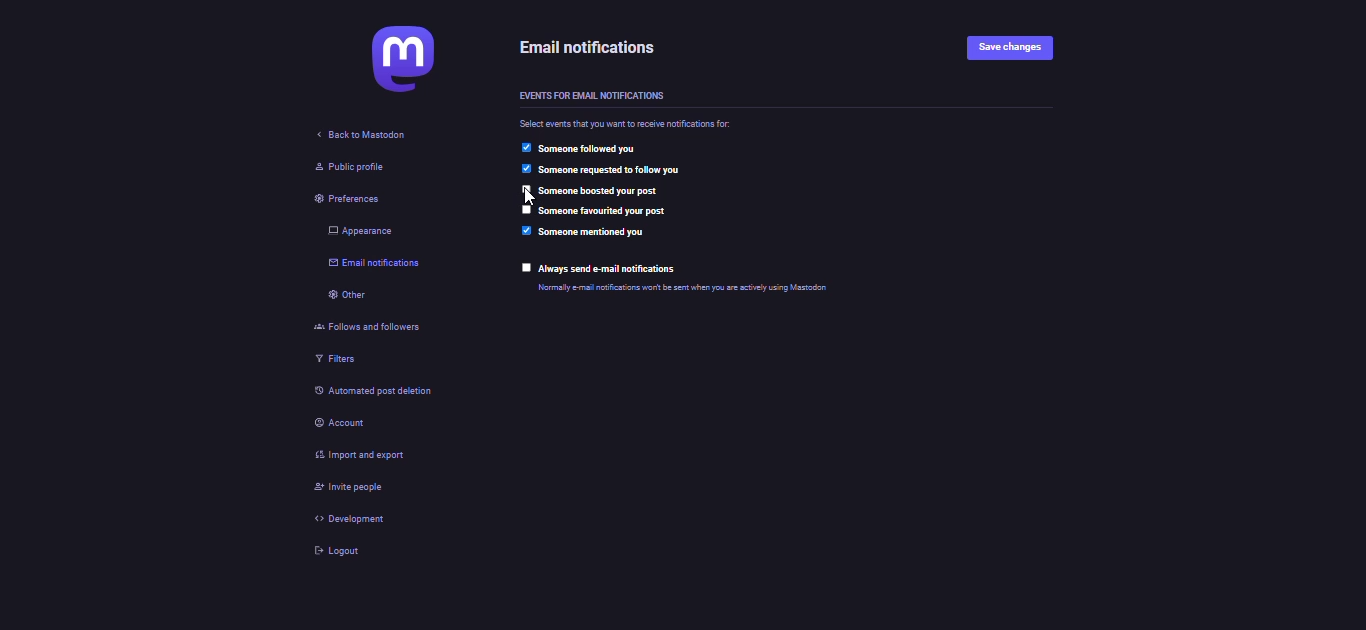 The height and width of the screenshot is (630, 1366). What do you see at coordinates (1016, 48) in the screenshot?
I see `save changes` at bounding box center [1016, 48].